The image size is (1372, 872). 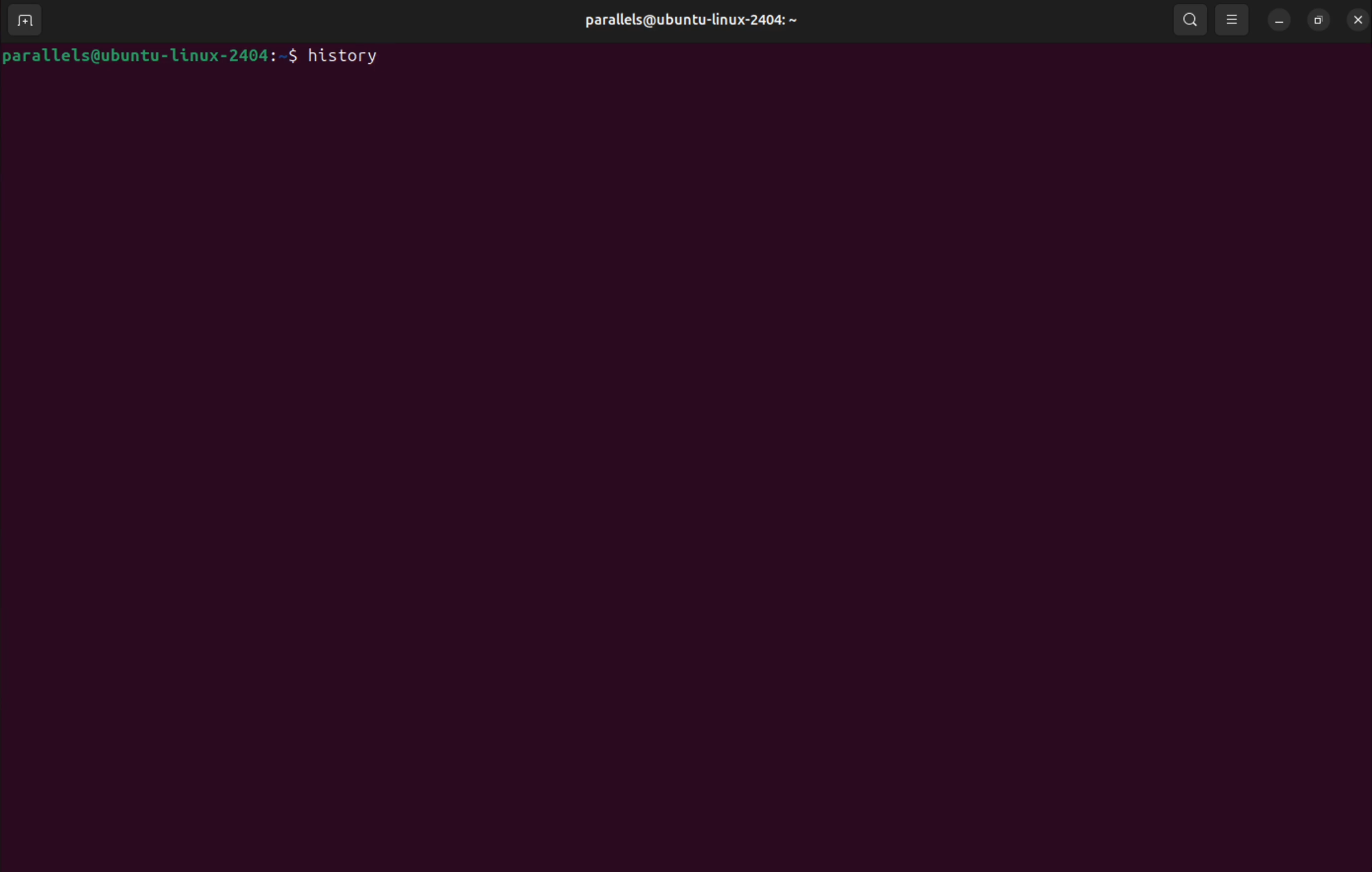 What do you see at coordinates (25, 22) in the screenshot?
I see `add terminal` at bounding box center [25, 22].